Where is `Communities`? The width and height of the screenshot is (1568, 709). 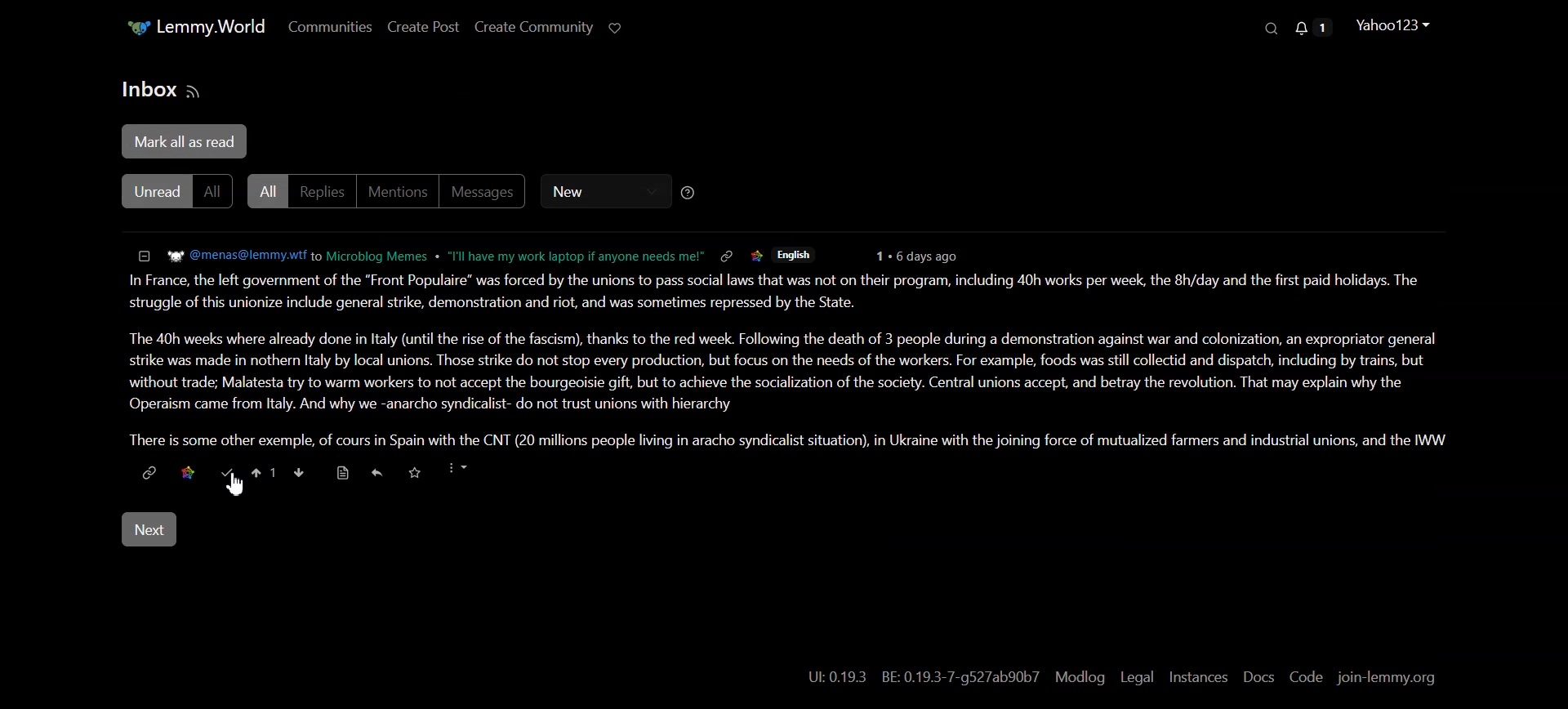
Communities is located at coordinates (321, 29).